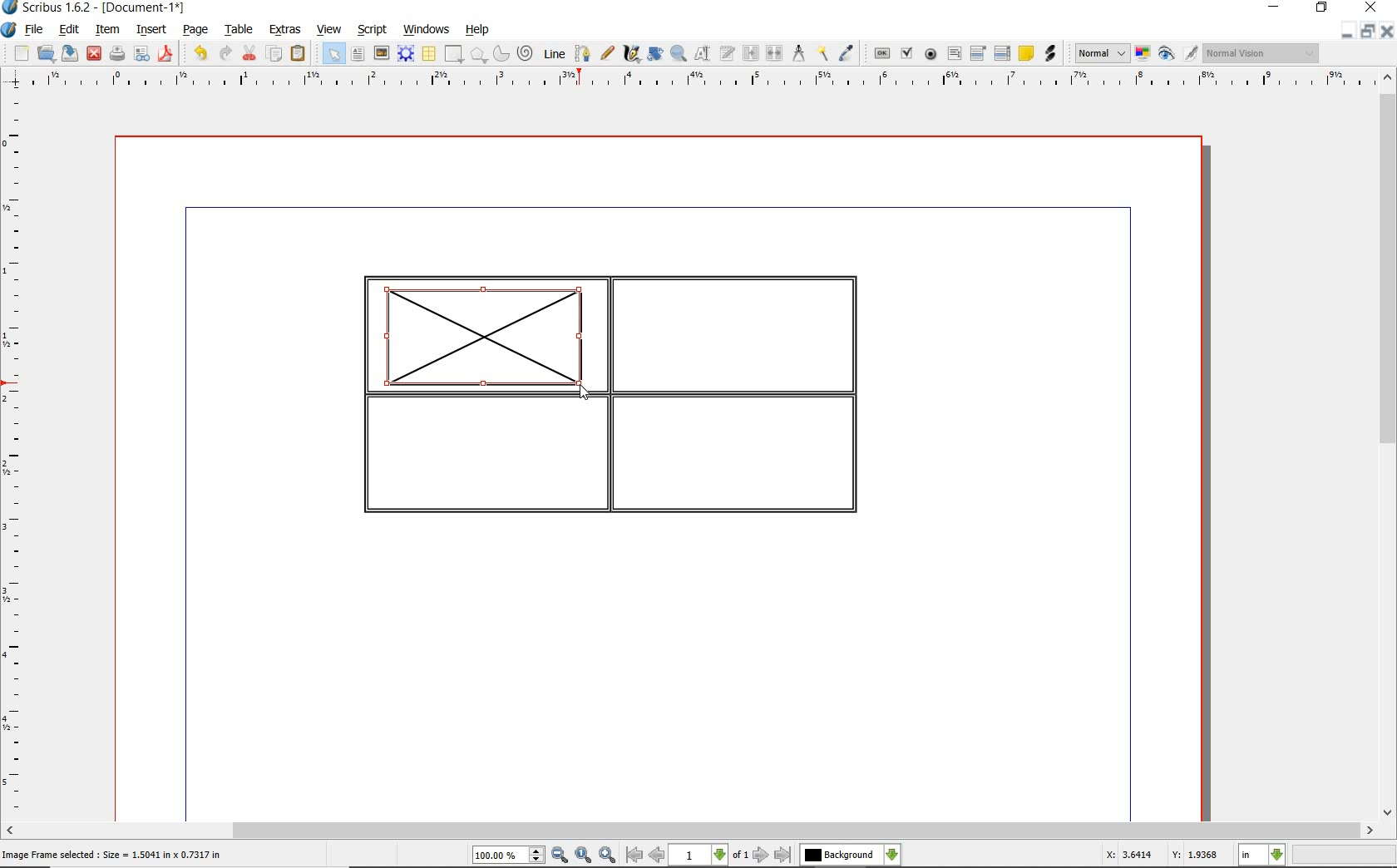 The image size is (1397, 868). What do you see at coordinates (200, 53) in the screenshot?
I see `undo` at bounding box center [200, 53].